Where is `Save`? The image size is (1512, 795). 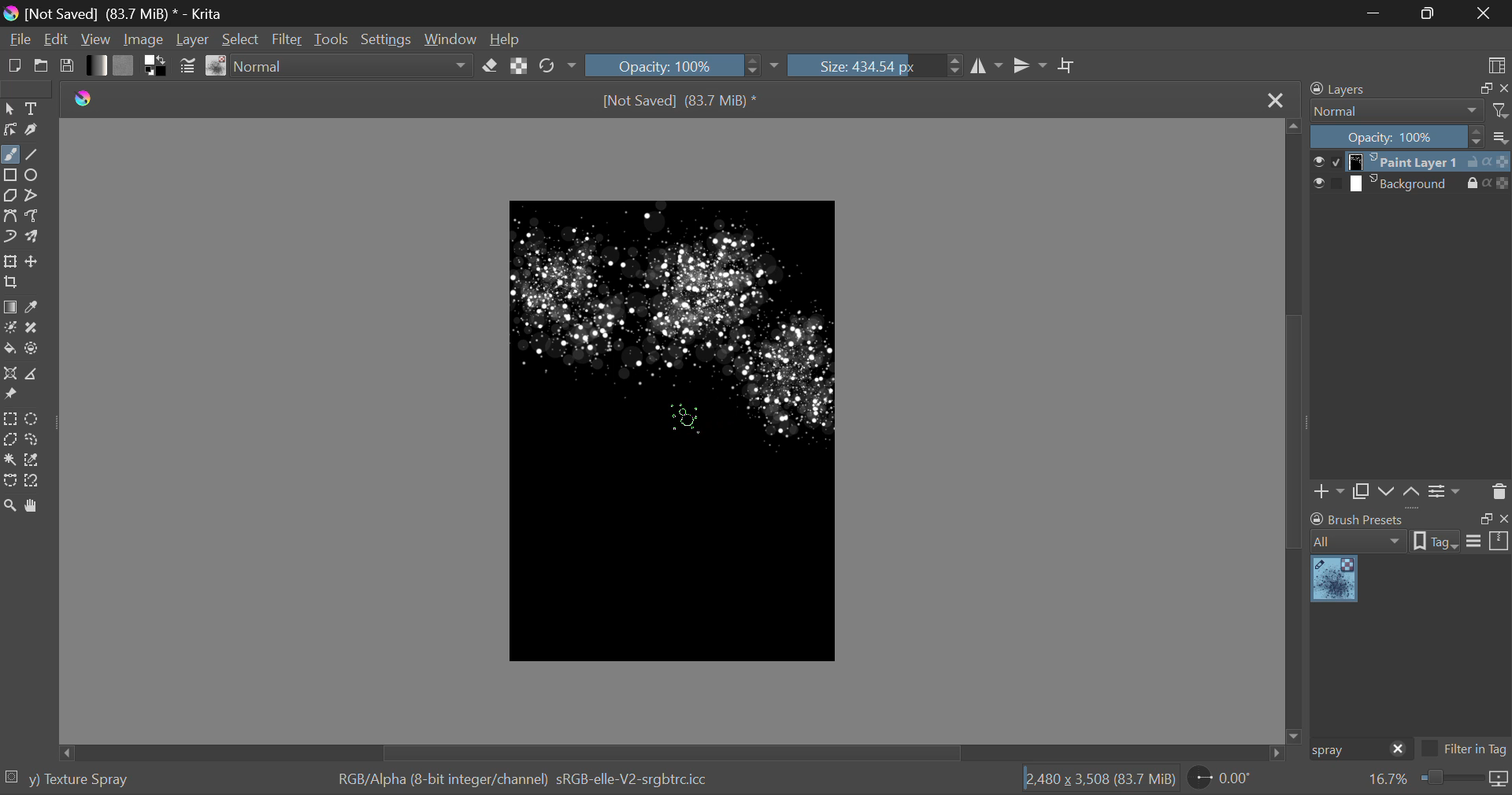
Save is located at coordinates (65, 65).